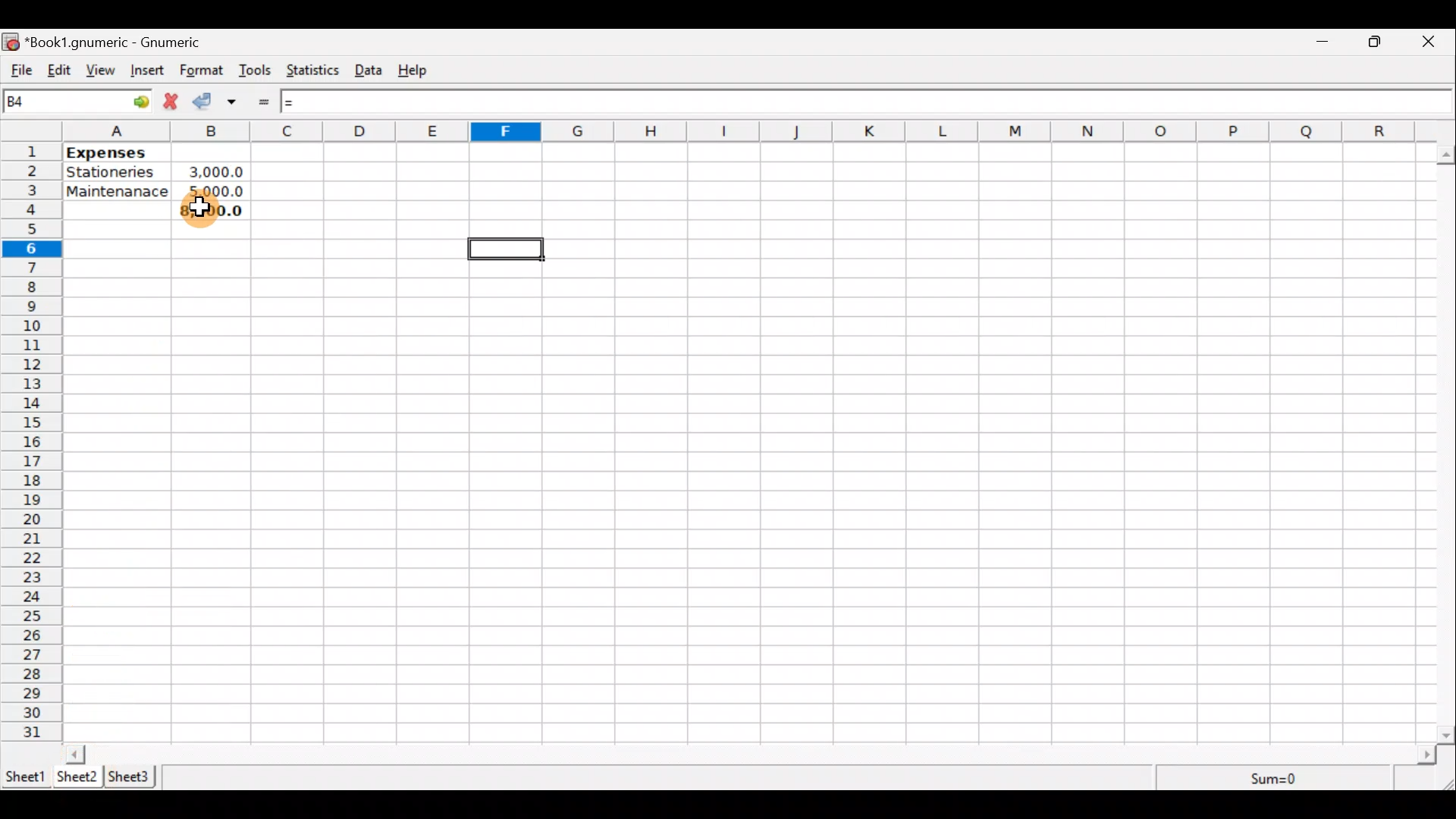 The width and height of the screenshot is (1456, 819). Describe the element at coordinates (206, 102) in the screenshot. I see `Accept change` at that location.